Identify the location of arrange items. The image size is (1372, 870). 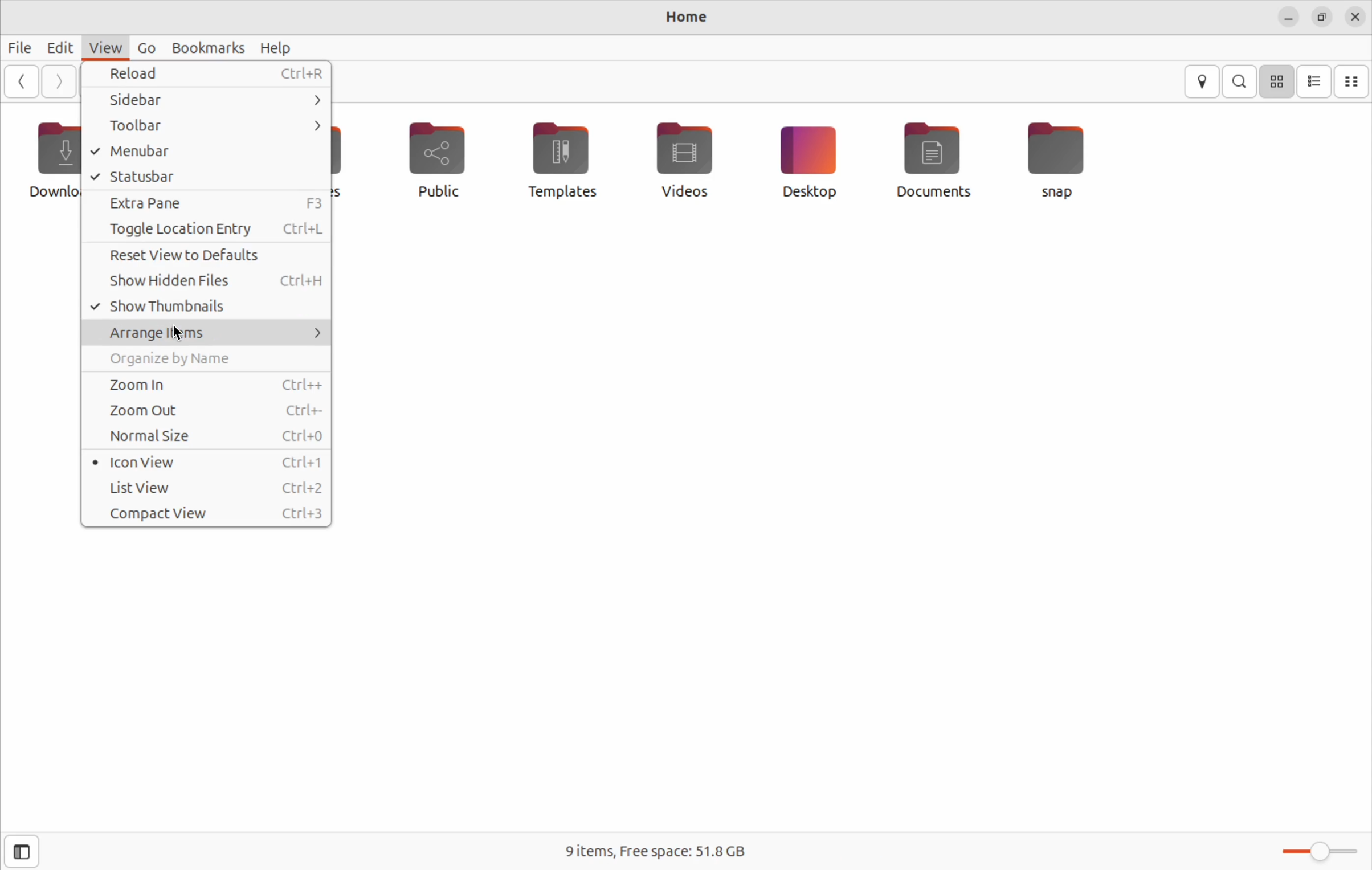
(208, 334).